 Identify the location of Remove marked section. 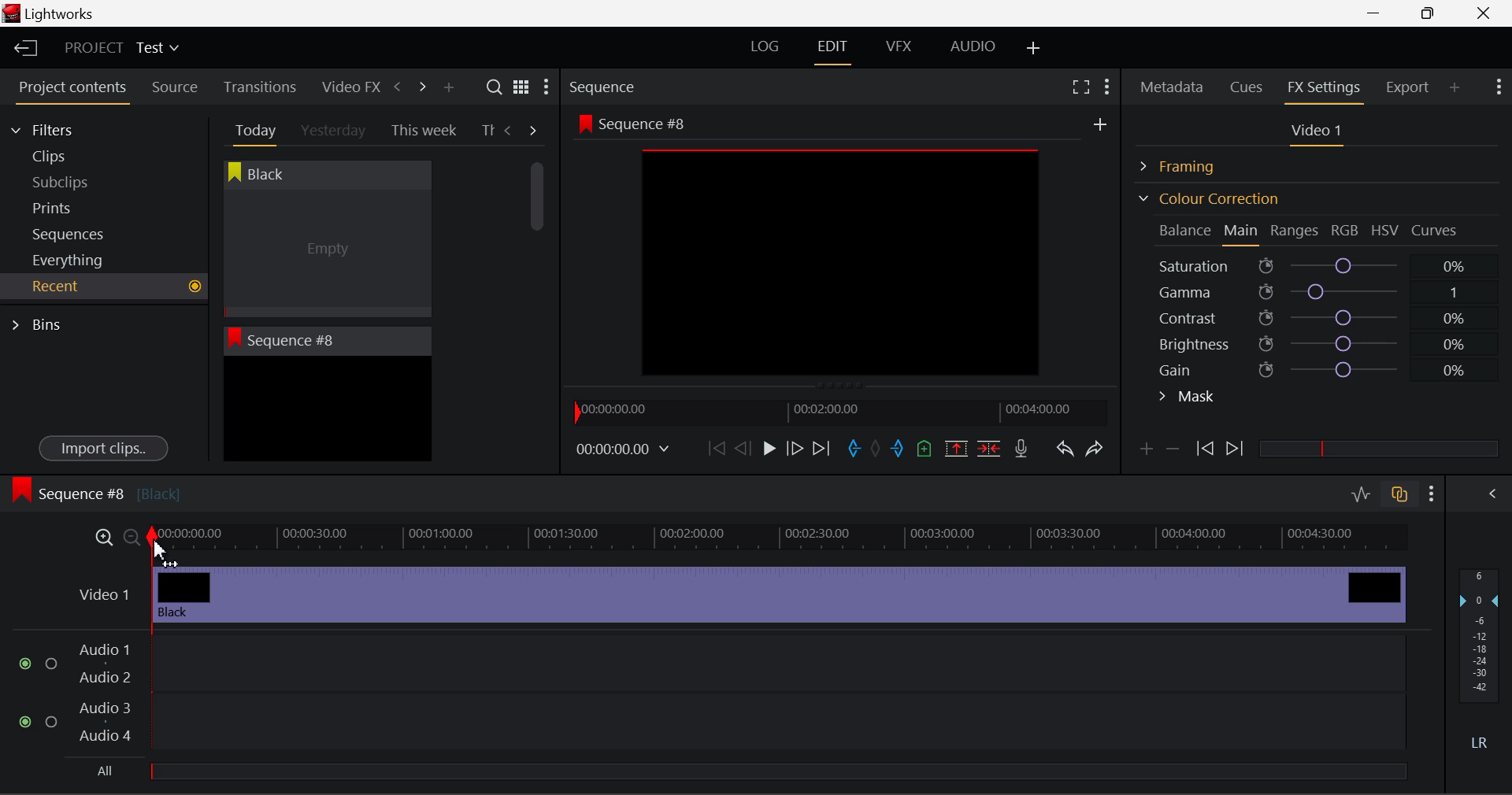
(955, 447).